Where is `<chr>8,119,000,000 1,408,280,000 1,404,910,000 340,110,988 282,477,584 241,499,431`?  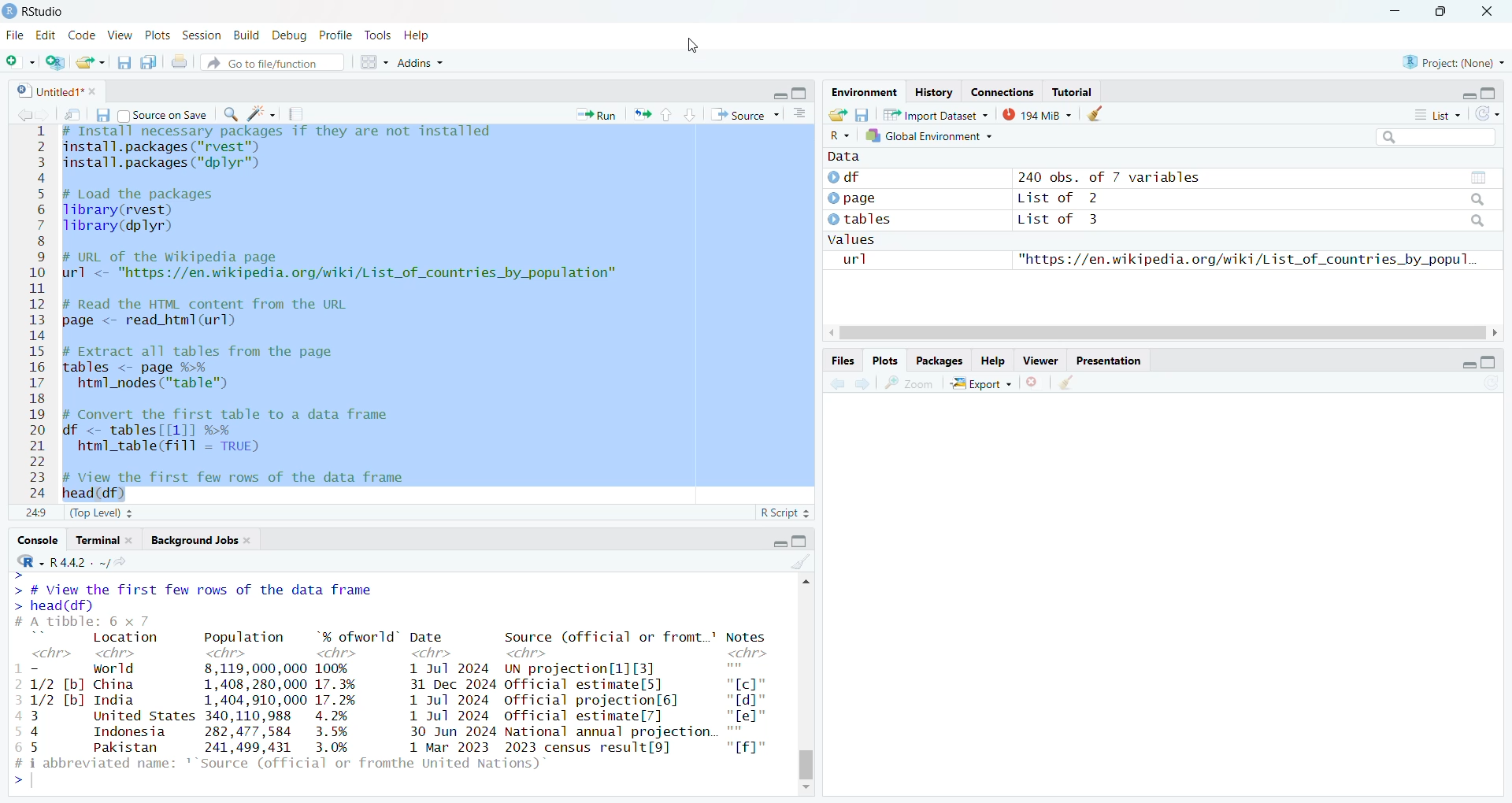 <chr>8,119,000,000 1,408,280,000 1,404,910,000 340,110,988 282,477,584 241,499,431 is located at coordinates (254, 700).